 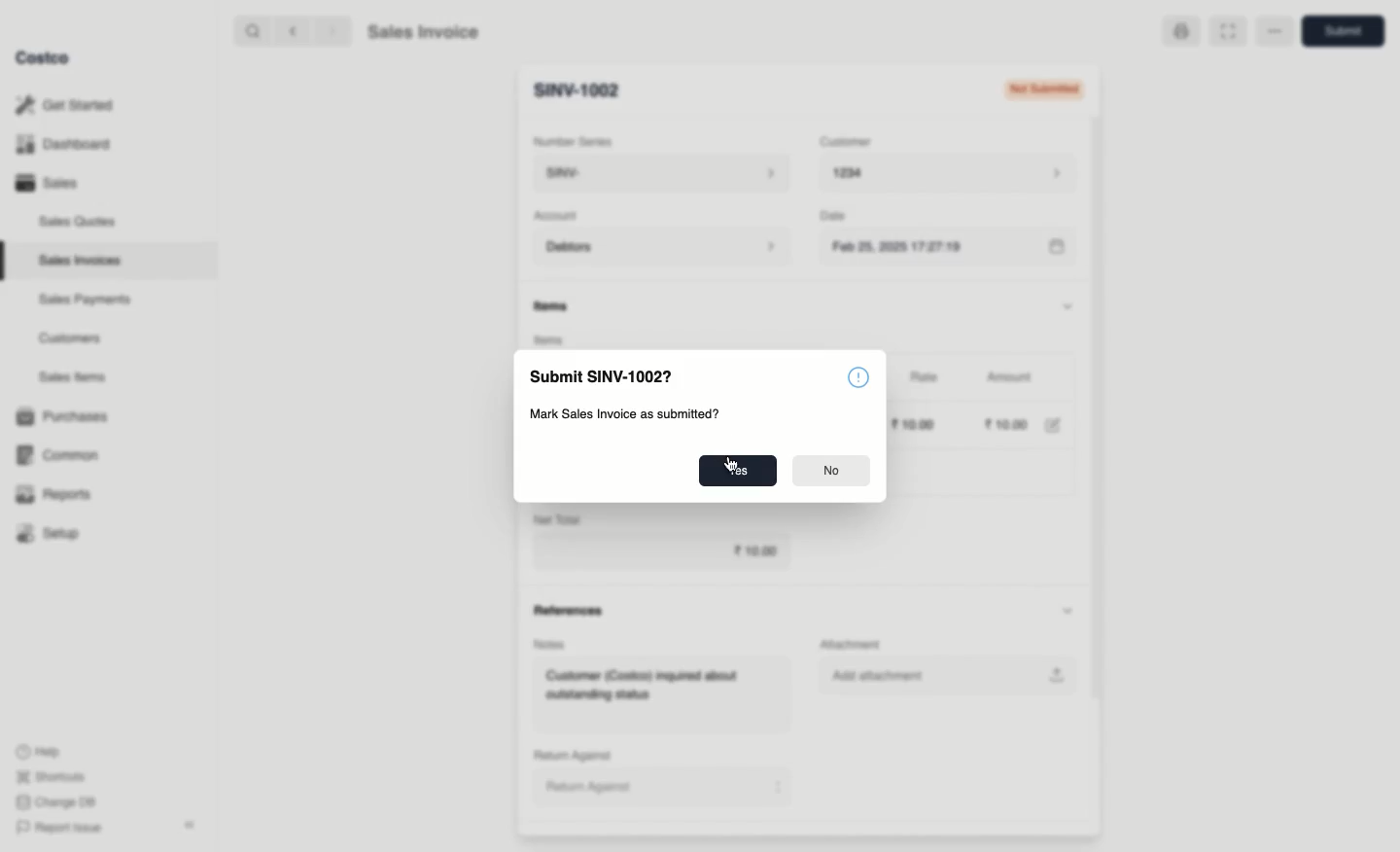 I want to click on Customer, so click(x=852, y=143).